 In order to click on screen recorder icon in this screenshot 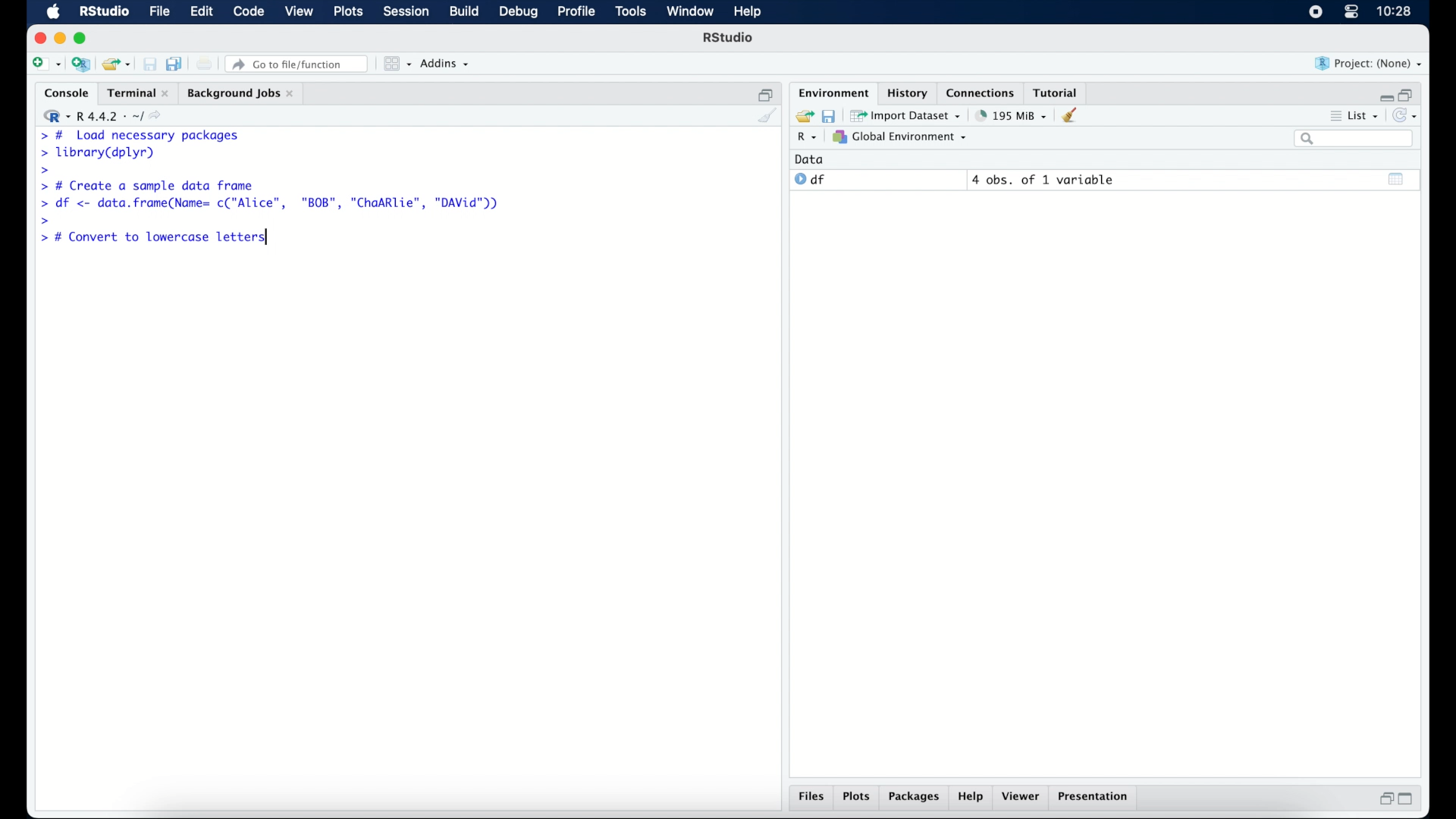, I will do `click(1314, 12)`.